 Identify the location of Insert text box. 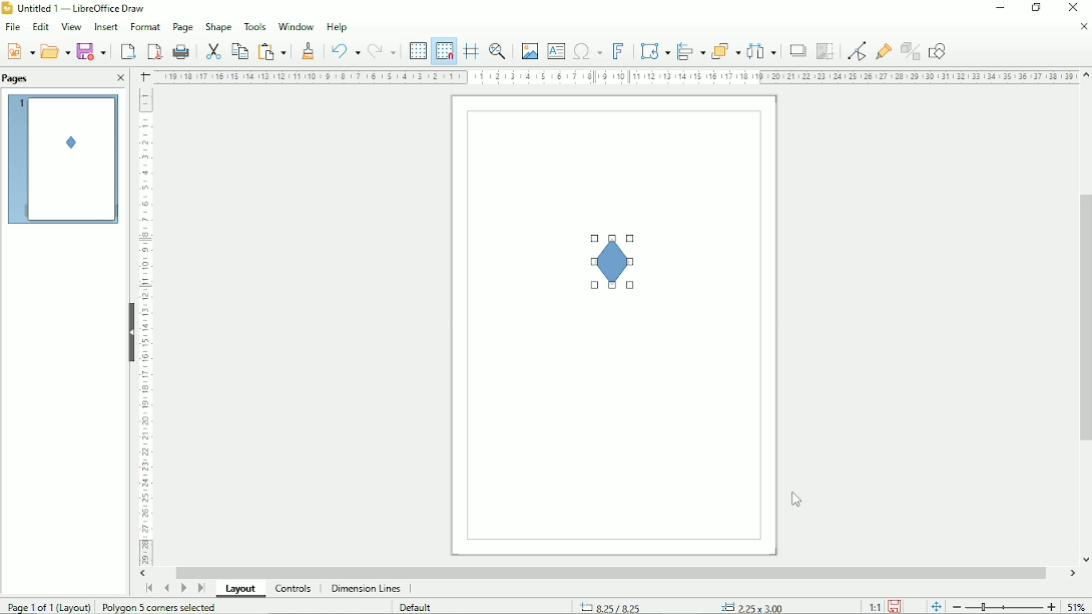
(556, 50).